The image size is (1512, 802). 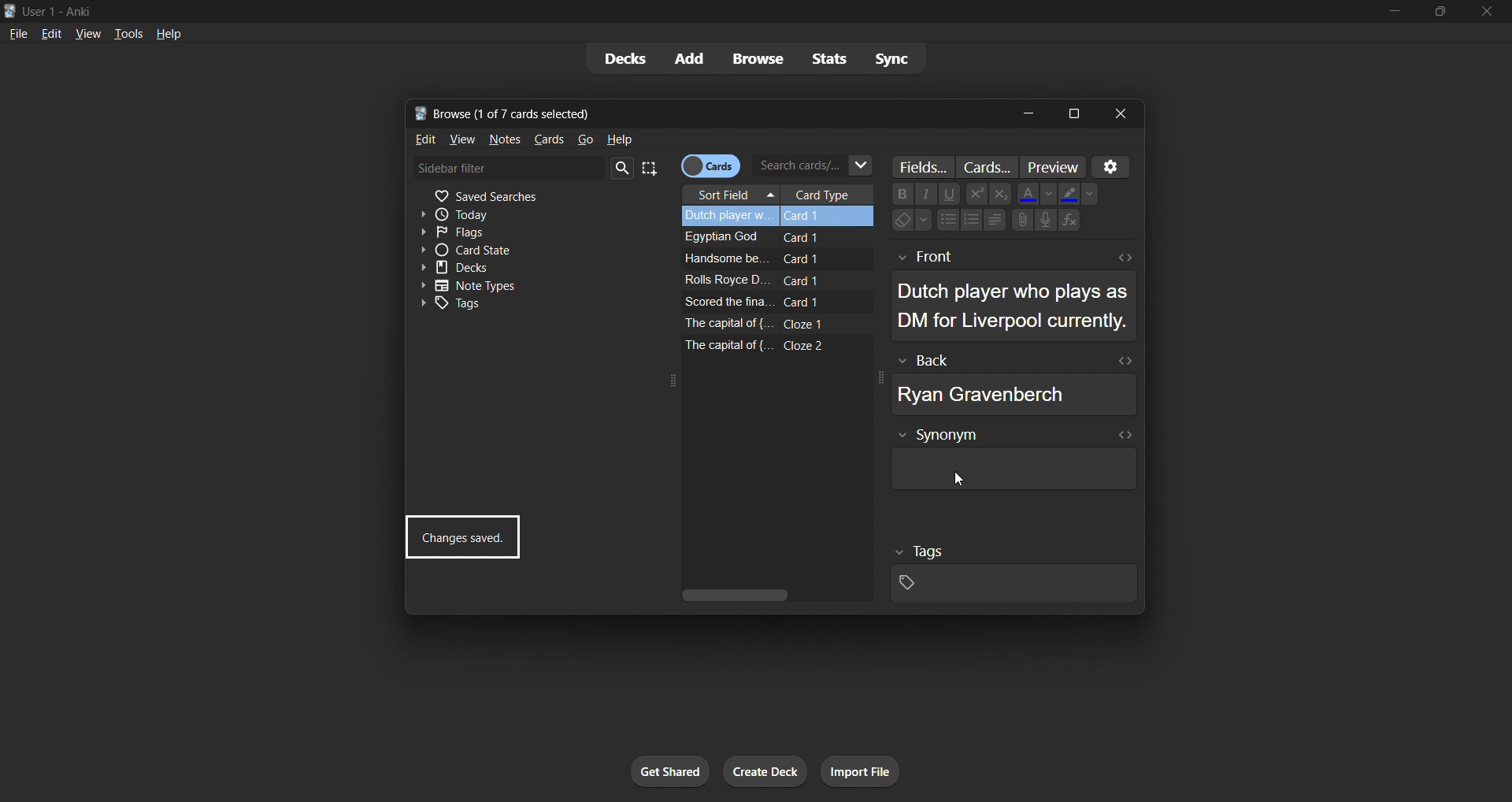 What do you see at coordinates (865, 770) in the screenshot?
I see `import file` at bounding box center [865, 770].